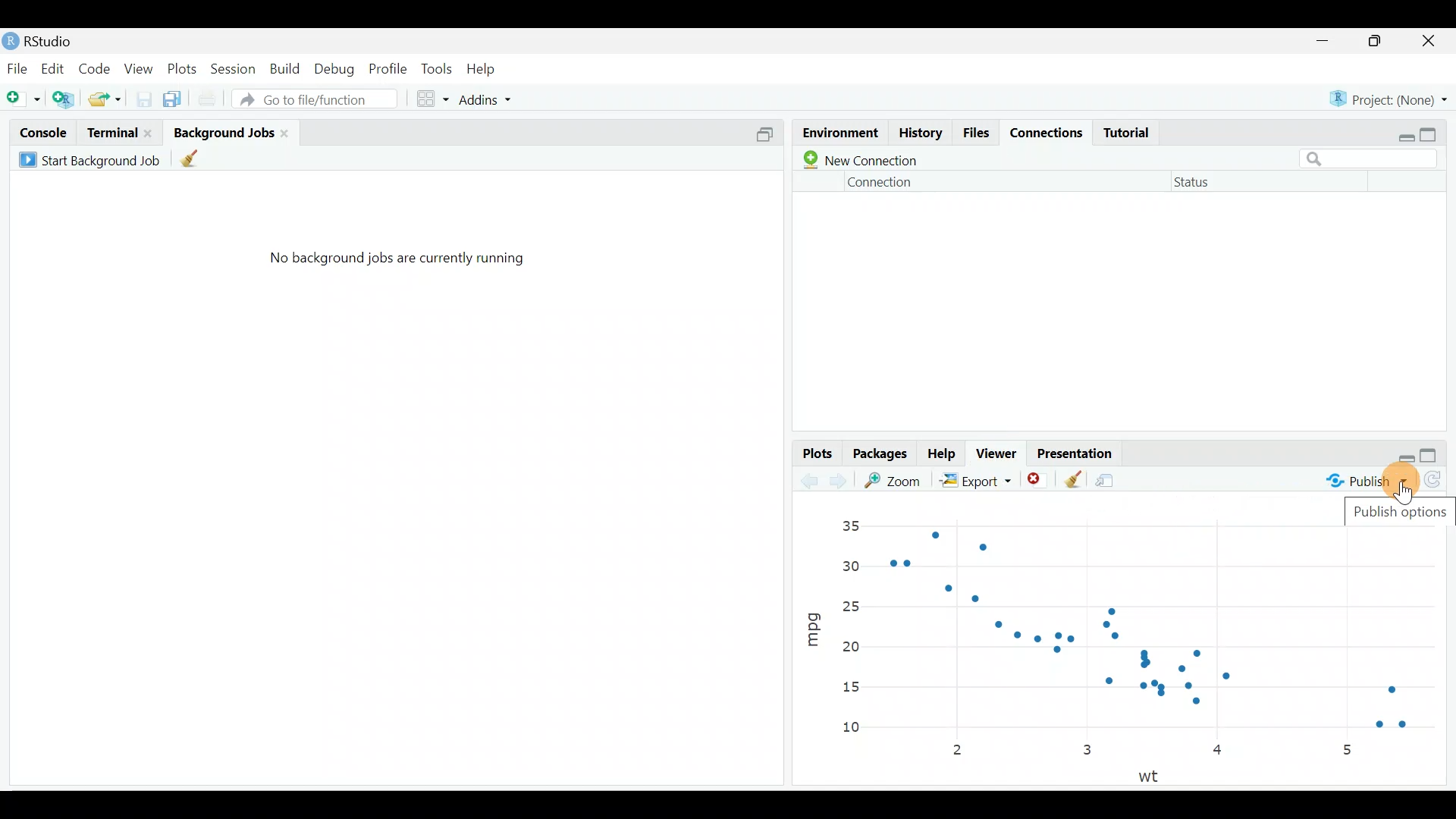 This screenshot has height=819, width=1456. Describe the element at coordinates (882, 455) in the screenshot. I see `Packages` at that location.